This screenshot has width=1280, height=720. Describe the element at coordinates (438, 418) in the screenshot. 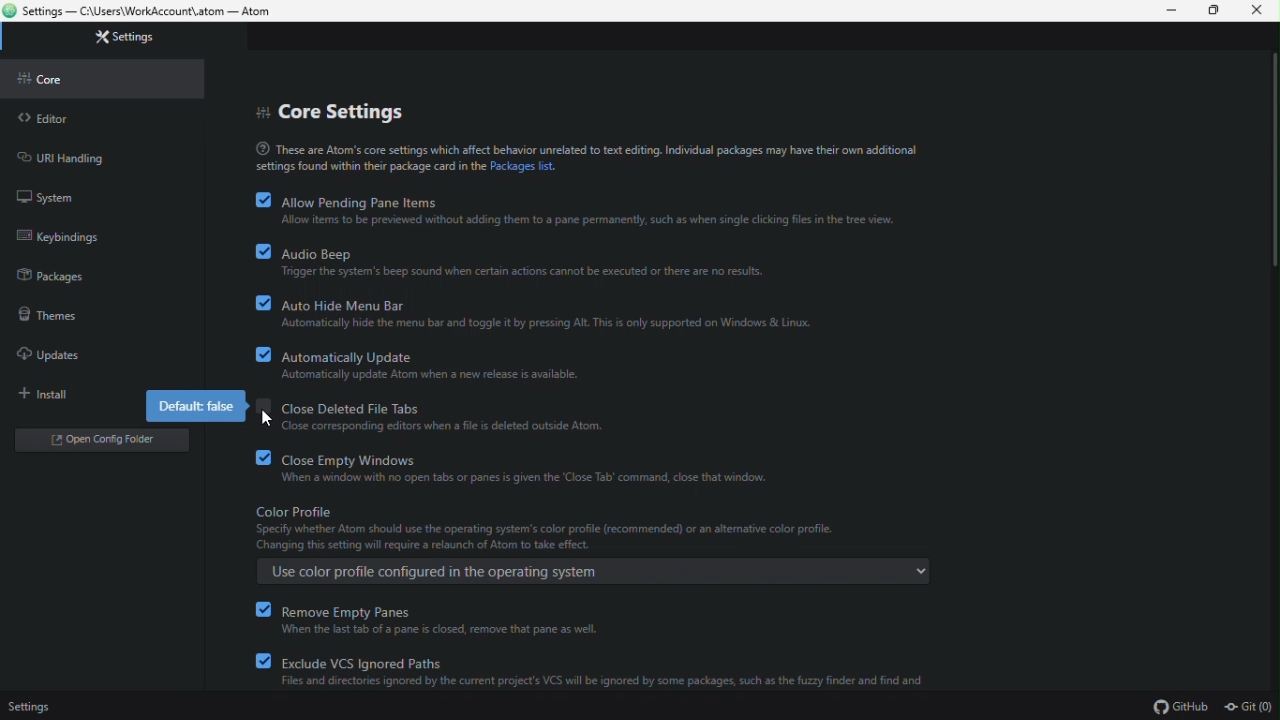

I see `close deleted file tabs` at that location.